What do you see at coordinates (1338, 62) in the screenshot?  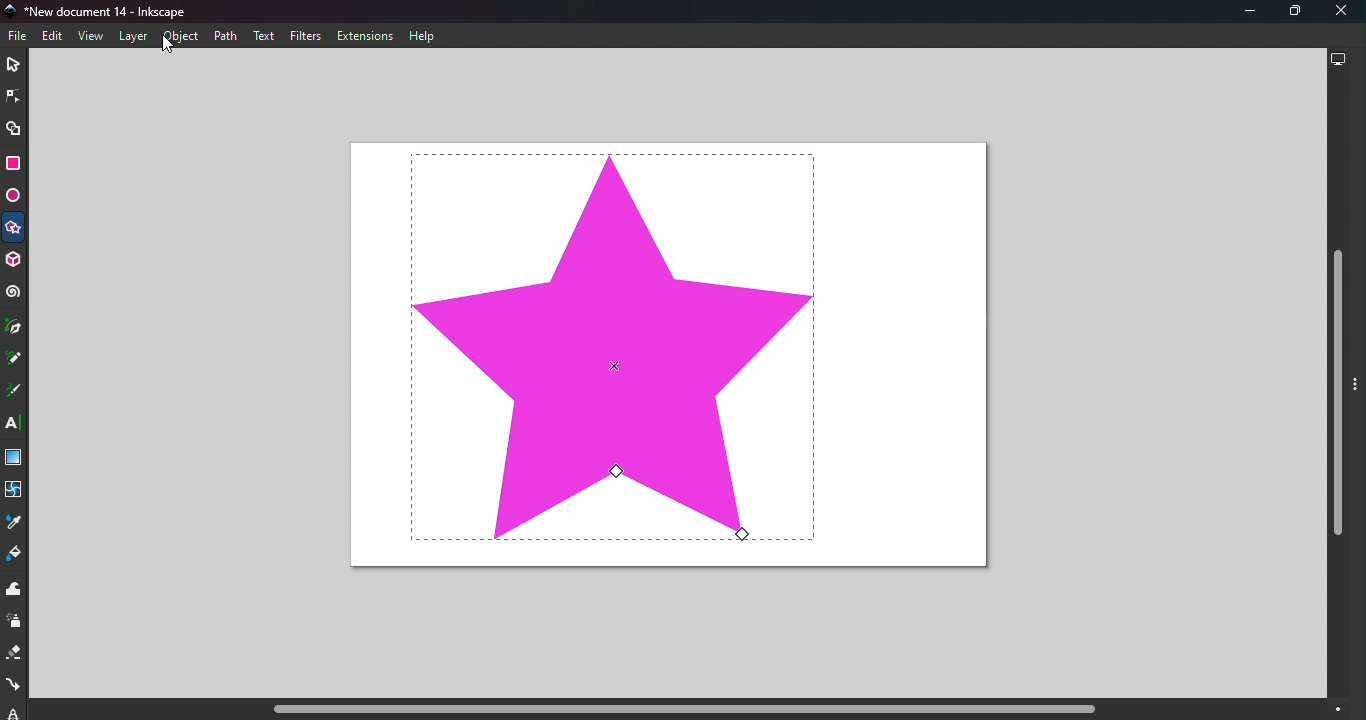 I see `Display options` at bounding box center [1338, 62].